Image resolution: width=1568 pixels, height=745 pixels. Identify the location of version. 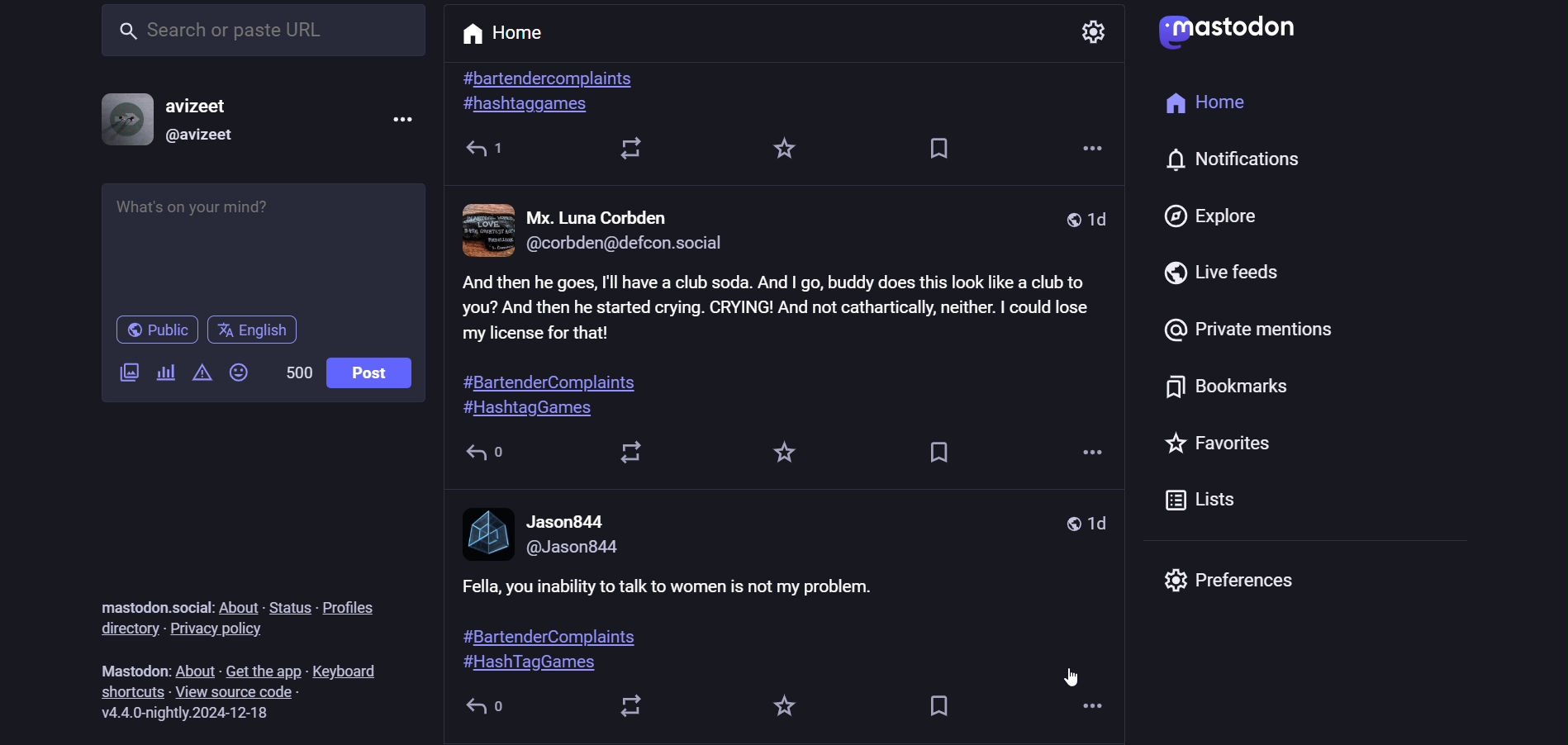
(192, 711).